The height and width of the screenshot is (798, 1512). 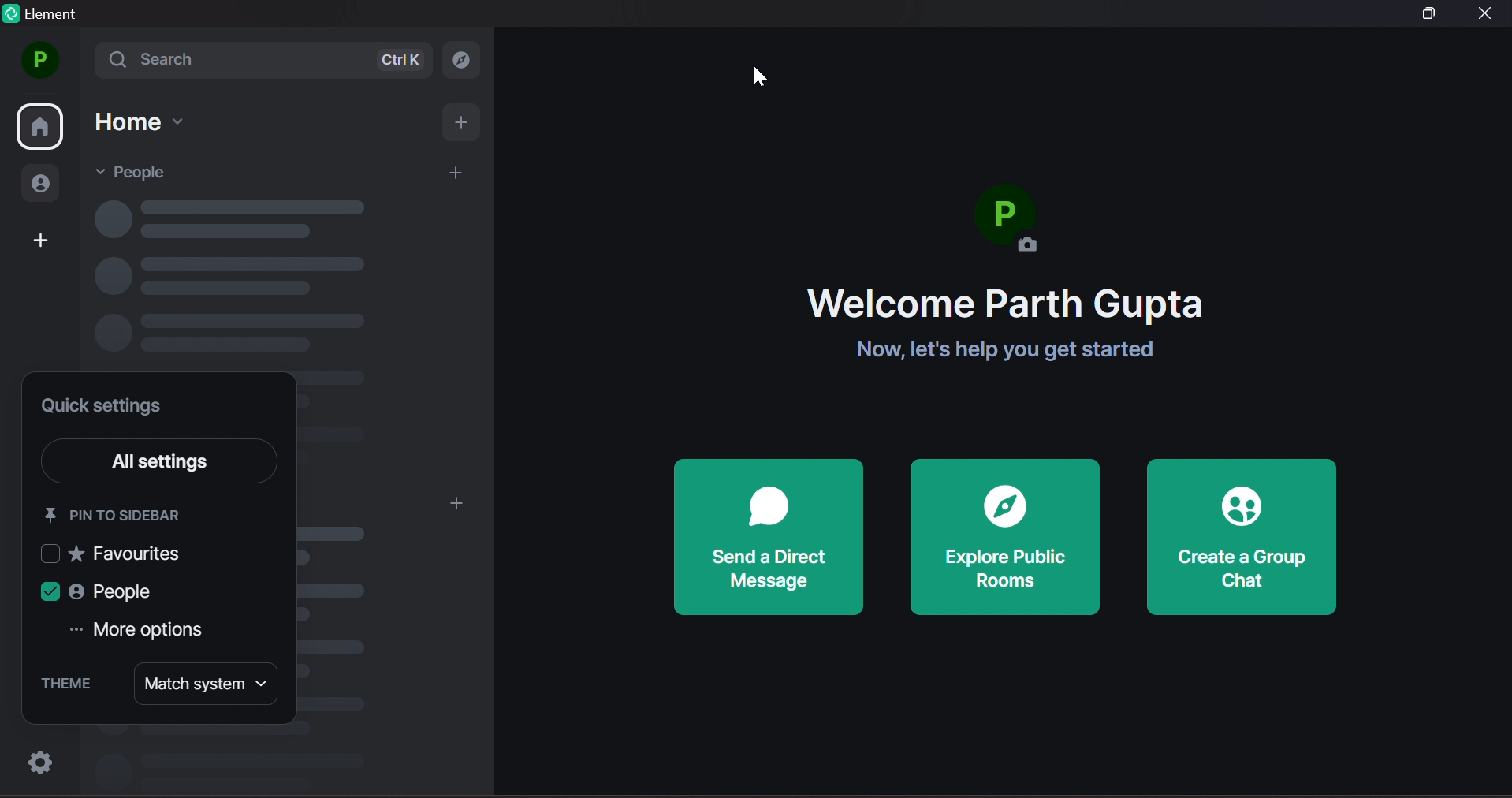 What do you see at coordinates (1372, 16) in the screenshot?
I see `minimize` at bounding box center [1372, 16].